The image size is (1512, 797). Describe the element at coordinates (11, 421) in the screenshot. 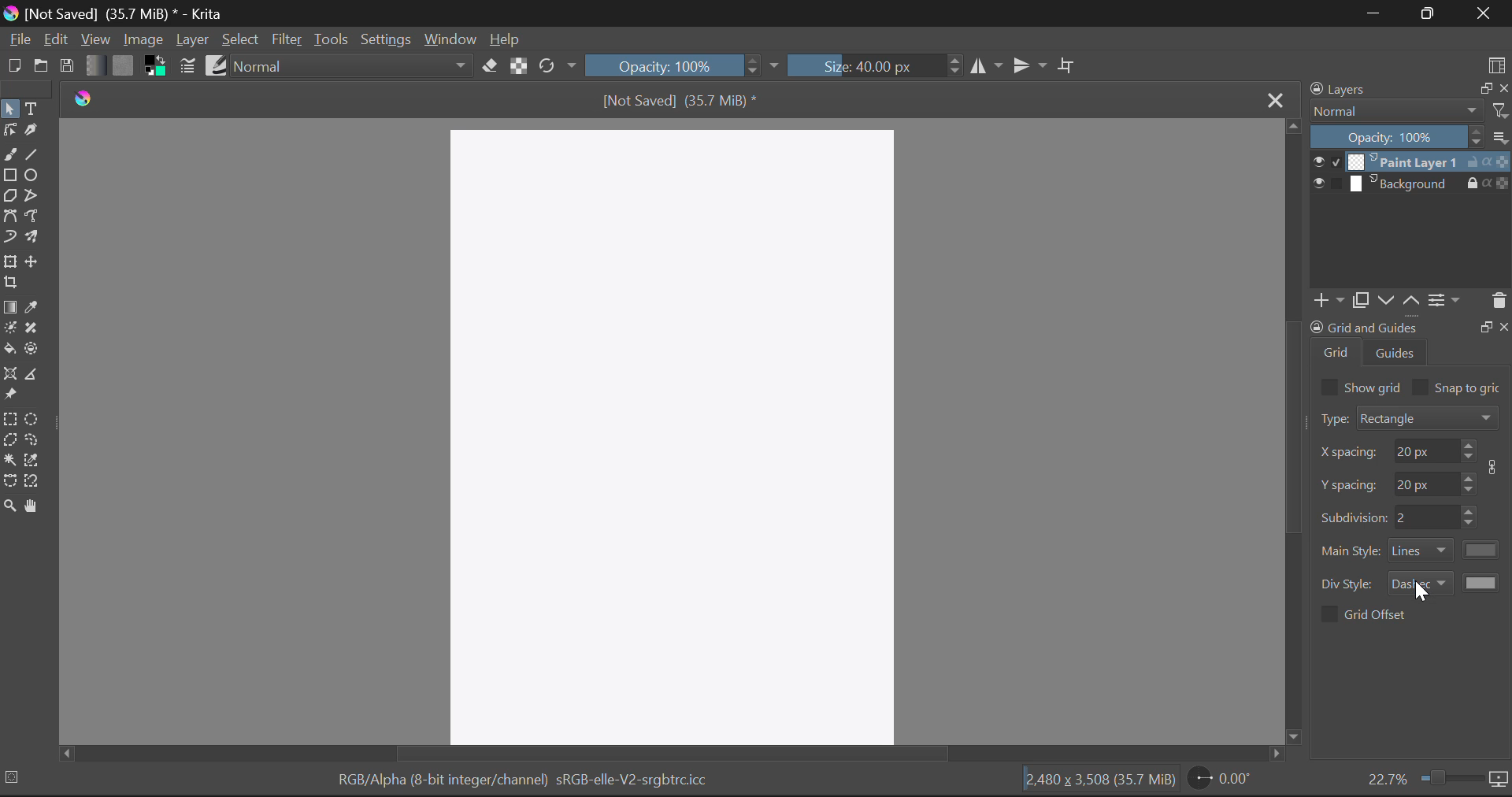

I see `Rectangular Selection` at that location.